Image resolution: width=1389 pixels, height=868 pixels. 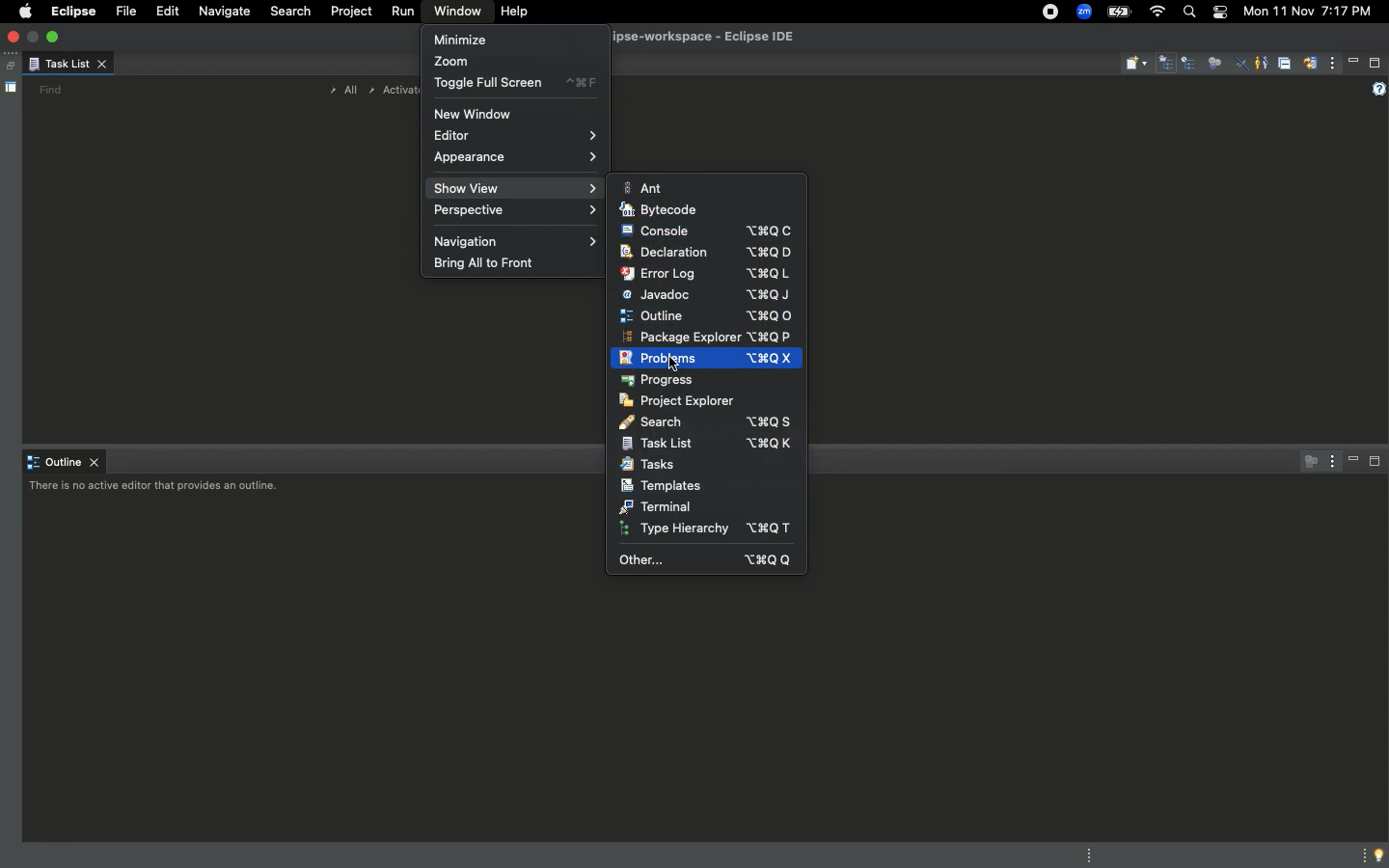 What do you see at coordinates (1188, 14) in the screenshot?
I see `Search` at bounding box center [1188, 14].